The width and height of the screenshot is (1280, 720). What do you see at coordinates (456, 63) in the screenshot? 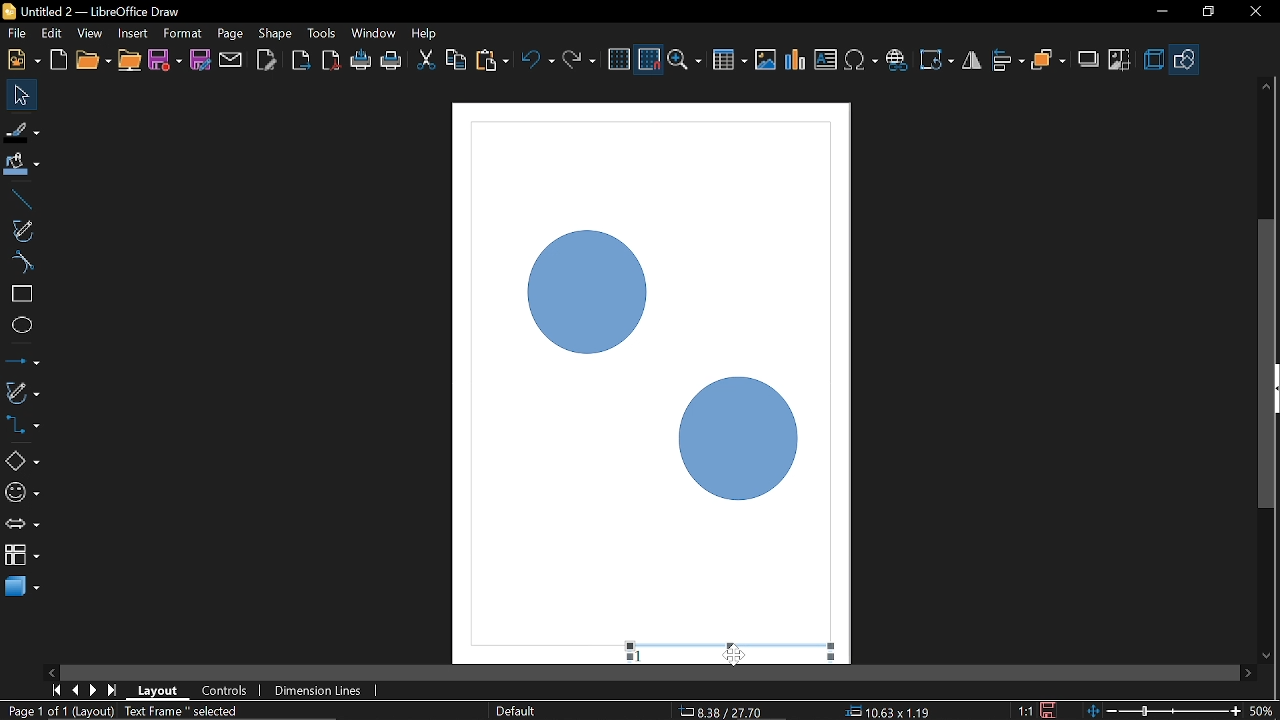
I see `Copy` at bounding box center [456, 63].